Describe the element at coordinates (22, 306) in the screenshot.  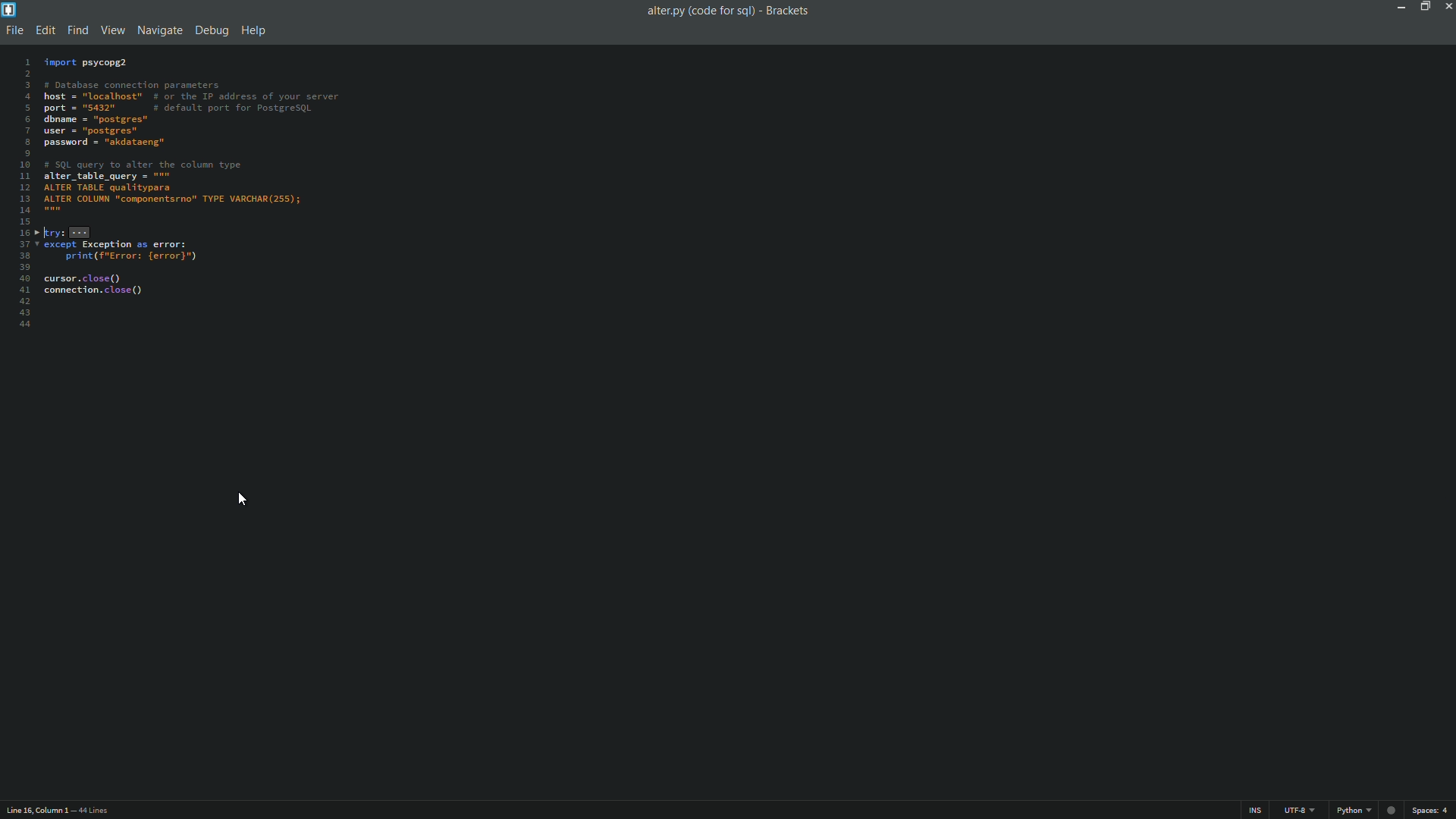
I see `line numbers` at that location.